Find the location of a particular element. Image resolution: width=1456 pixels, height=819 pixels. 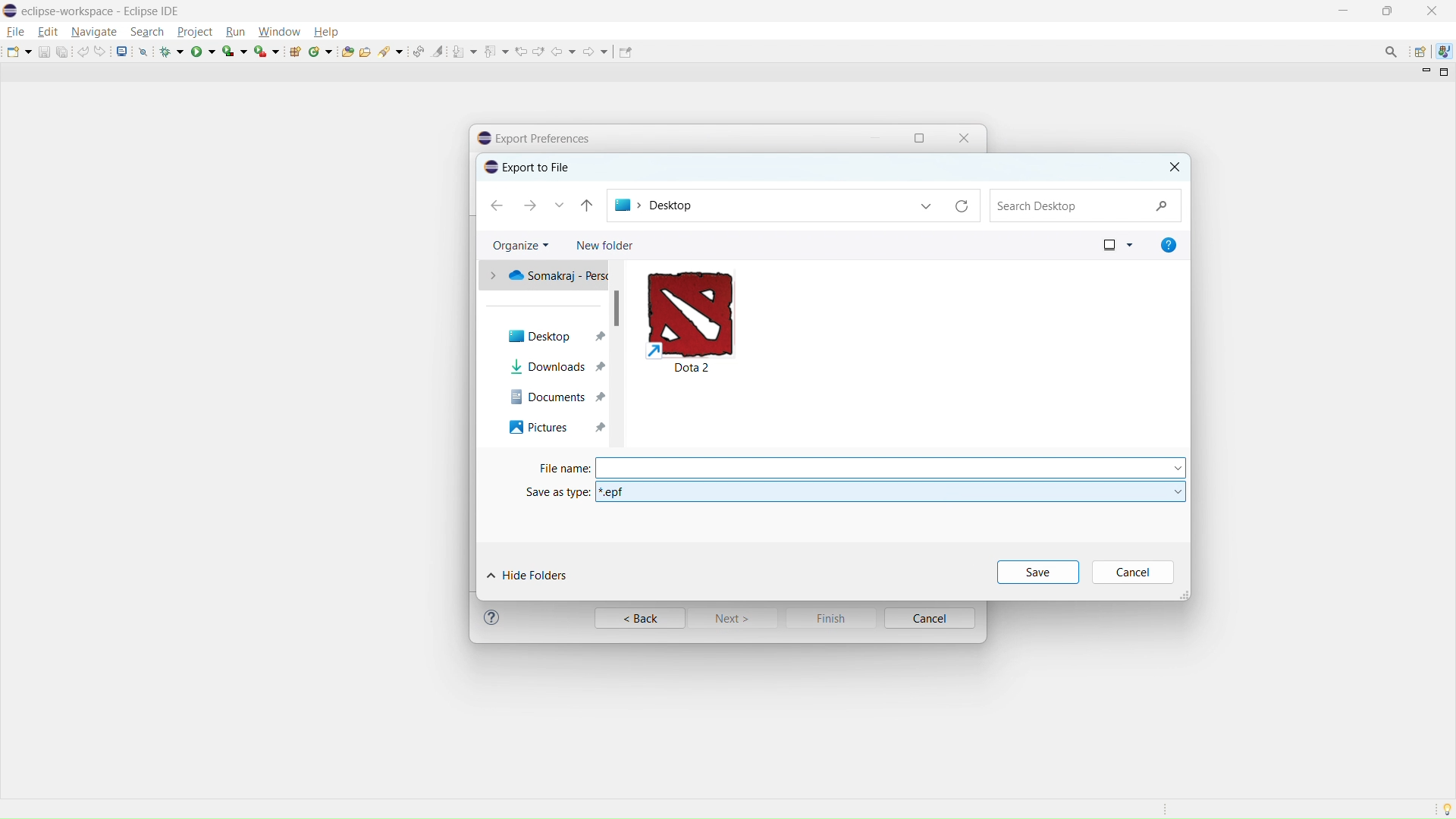

run last tool is located at coordinates (266, 50).